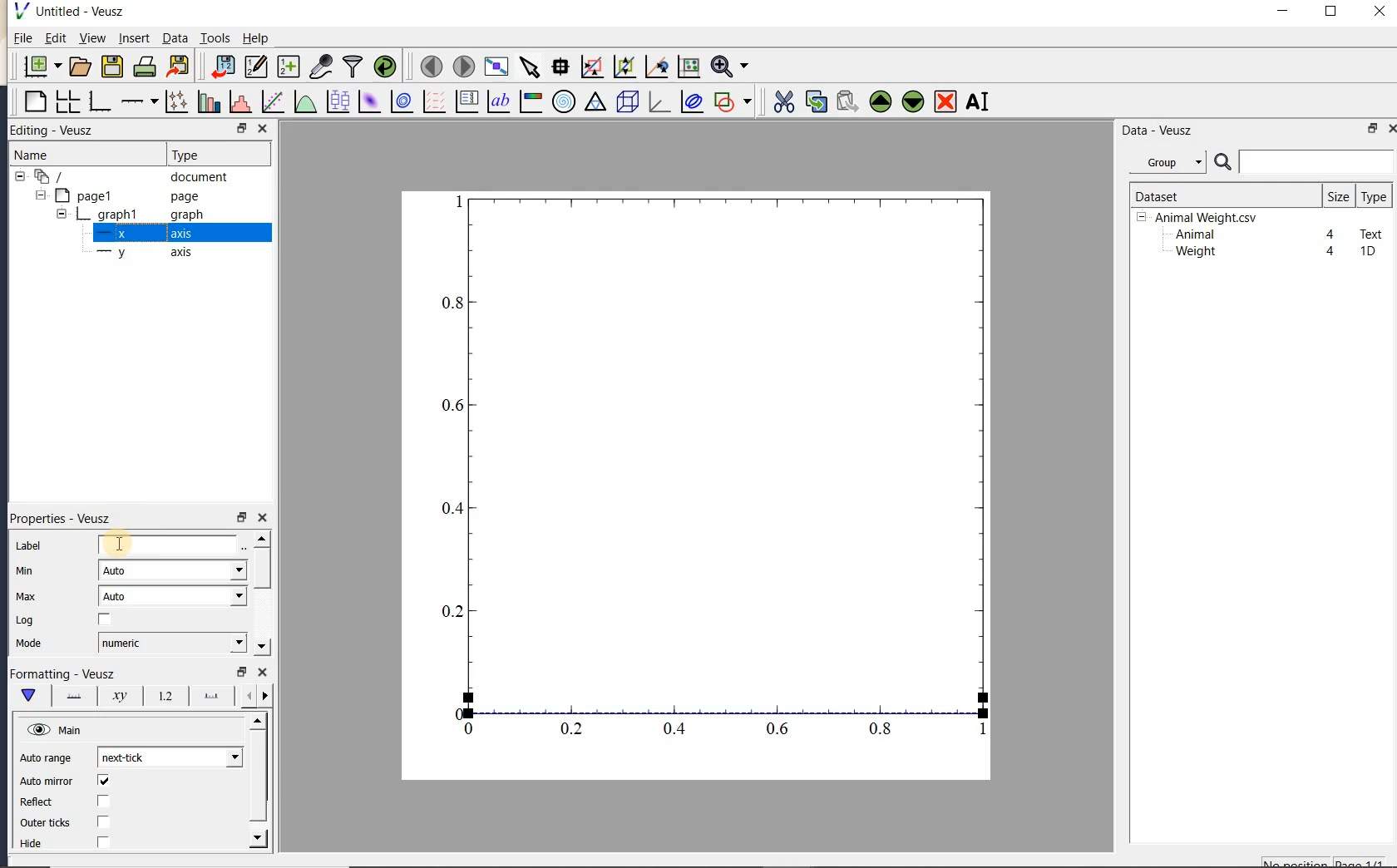 Image resolution: width=1397 pixels, height=868 pixels. I want to click on export to graphics format, so click(179, 65).